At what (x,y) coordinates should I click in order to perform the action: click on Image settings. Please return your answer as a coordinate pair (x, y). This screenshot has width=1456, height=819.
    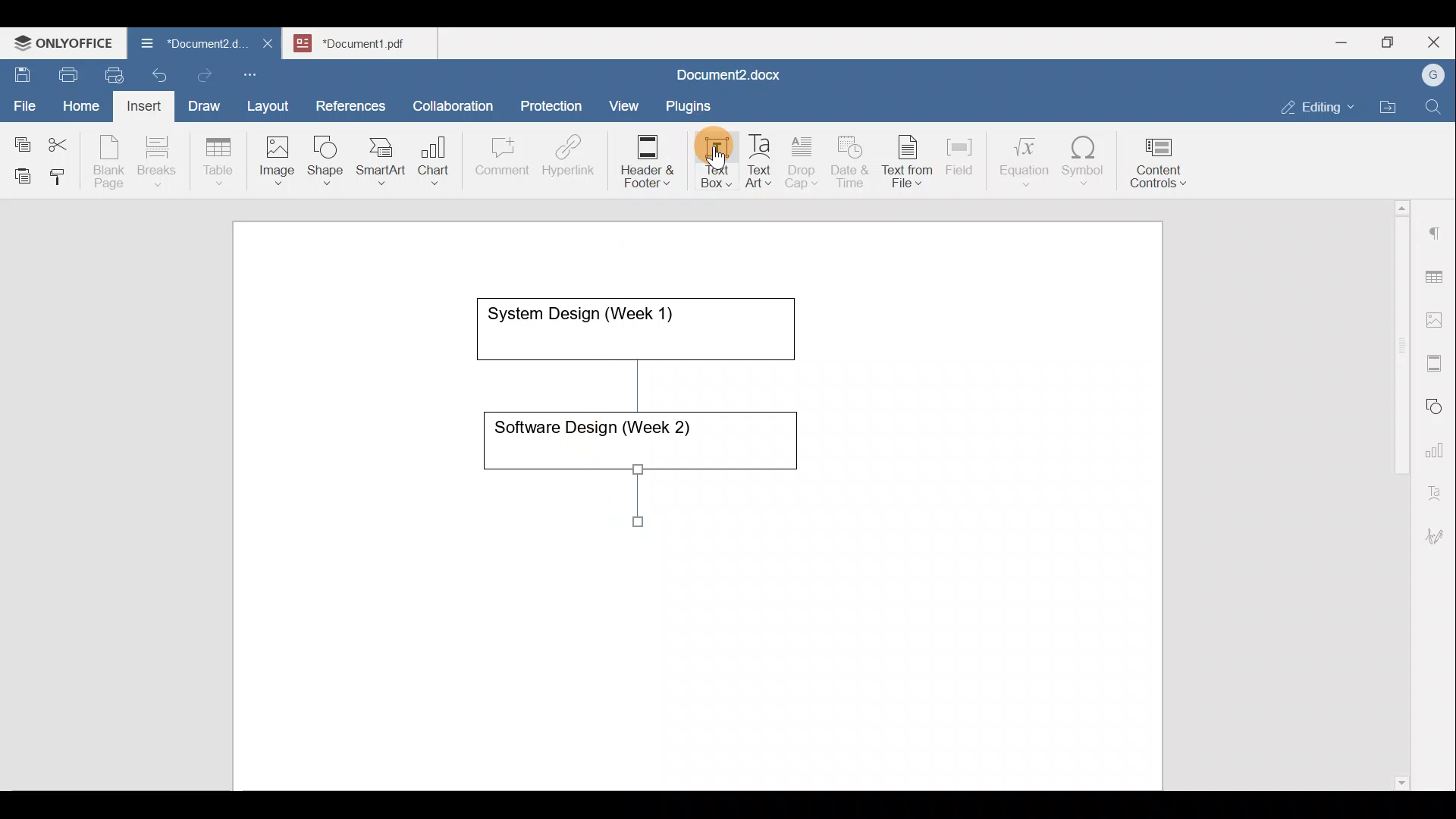
    Looking at the image, I should click on (1437, 318).